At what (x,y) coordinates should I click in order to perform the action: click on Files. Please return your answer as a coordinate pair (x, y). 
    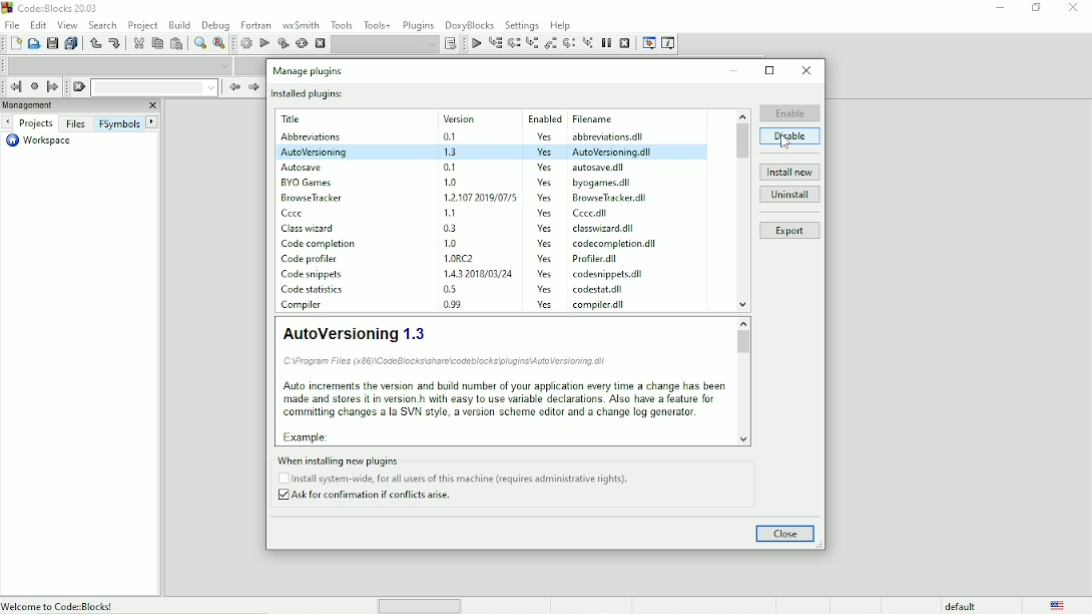
    Looking at the image, I should click on (75, 123).